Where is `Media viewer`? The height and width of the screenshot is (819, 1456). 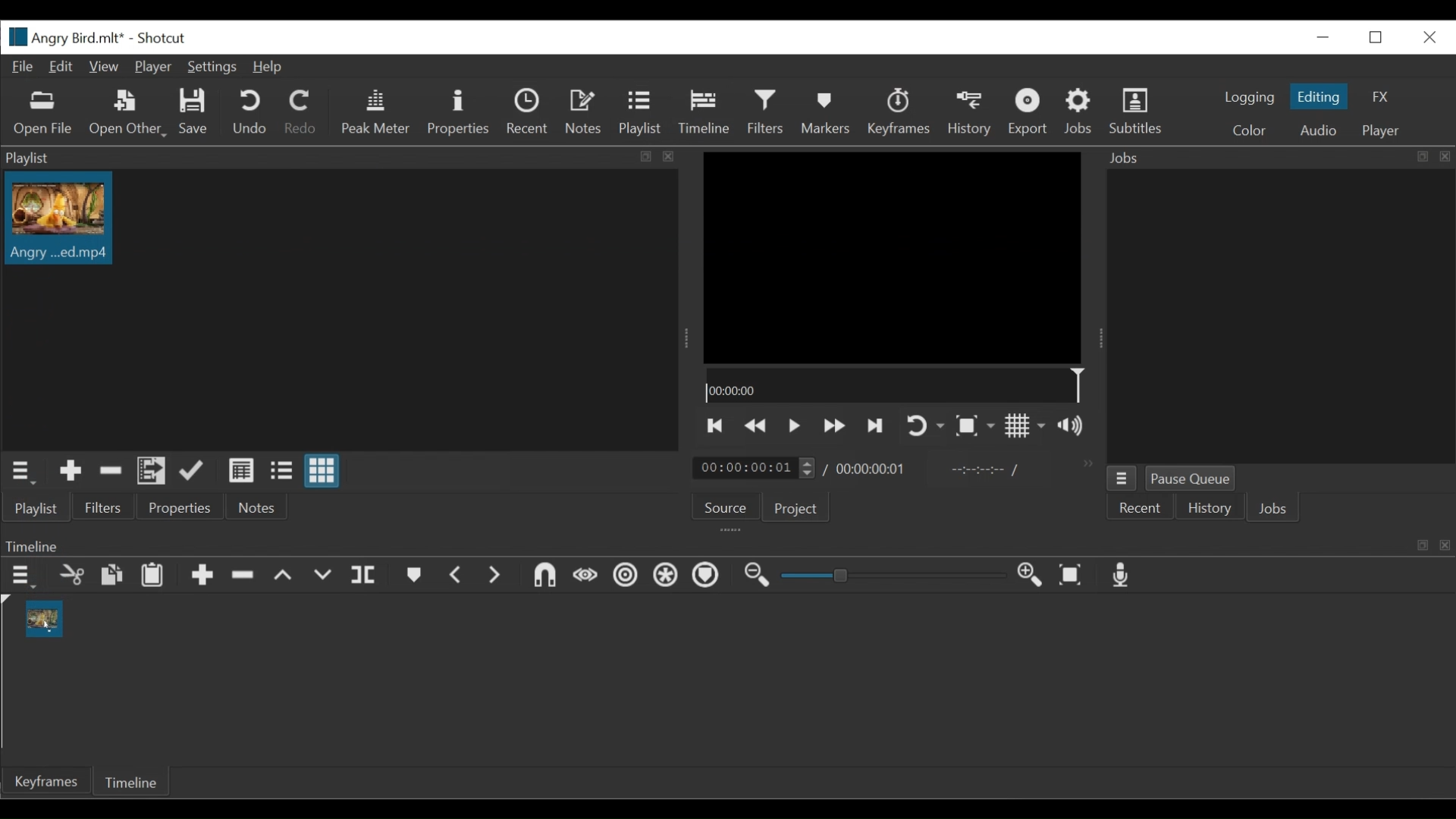
Media viewer is located at coordinates (893, 259).